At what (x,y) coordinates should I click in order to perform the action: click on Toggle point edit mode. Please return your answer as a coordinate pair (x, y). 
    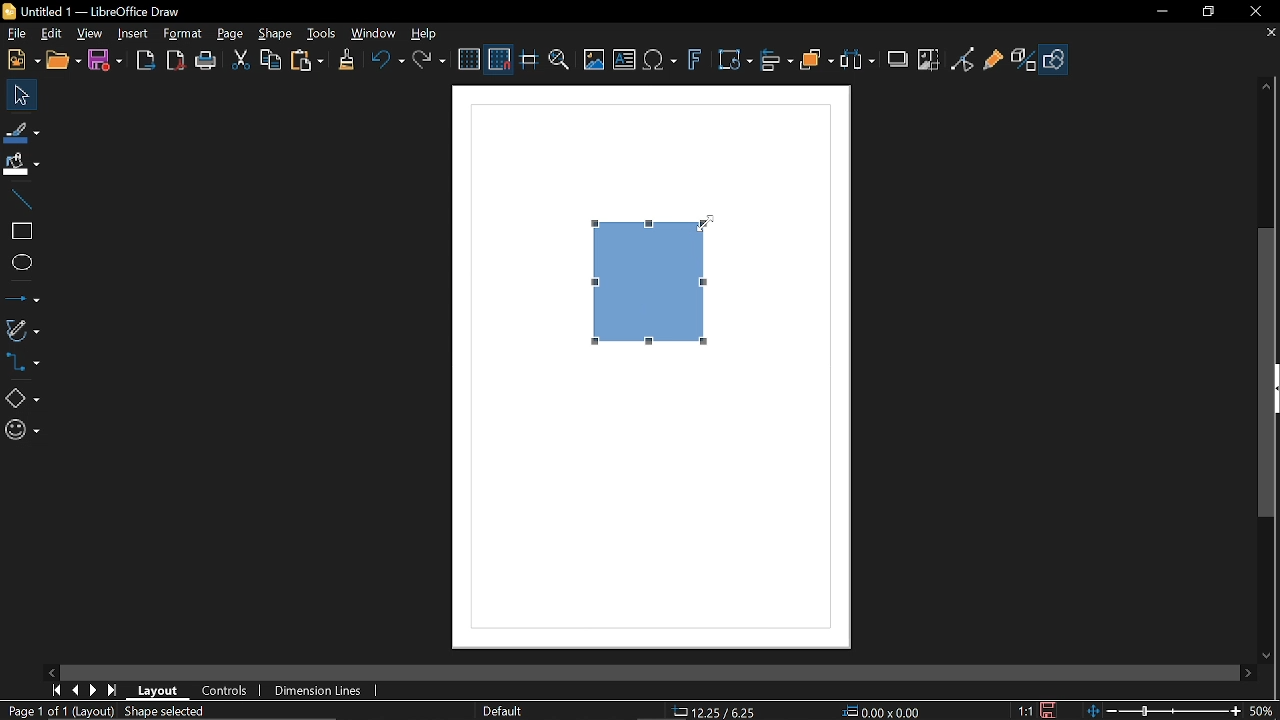
    Looking at the image, I should click on (962, 61).